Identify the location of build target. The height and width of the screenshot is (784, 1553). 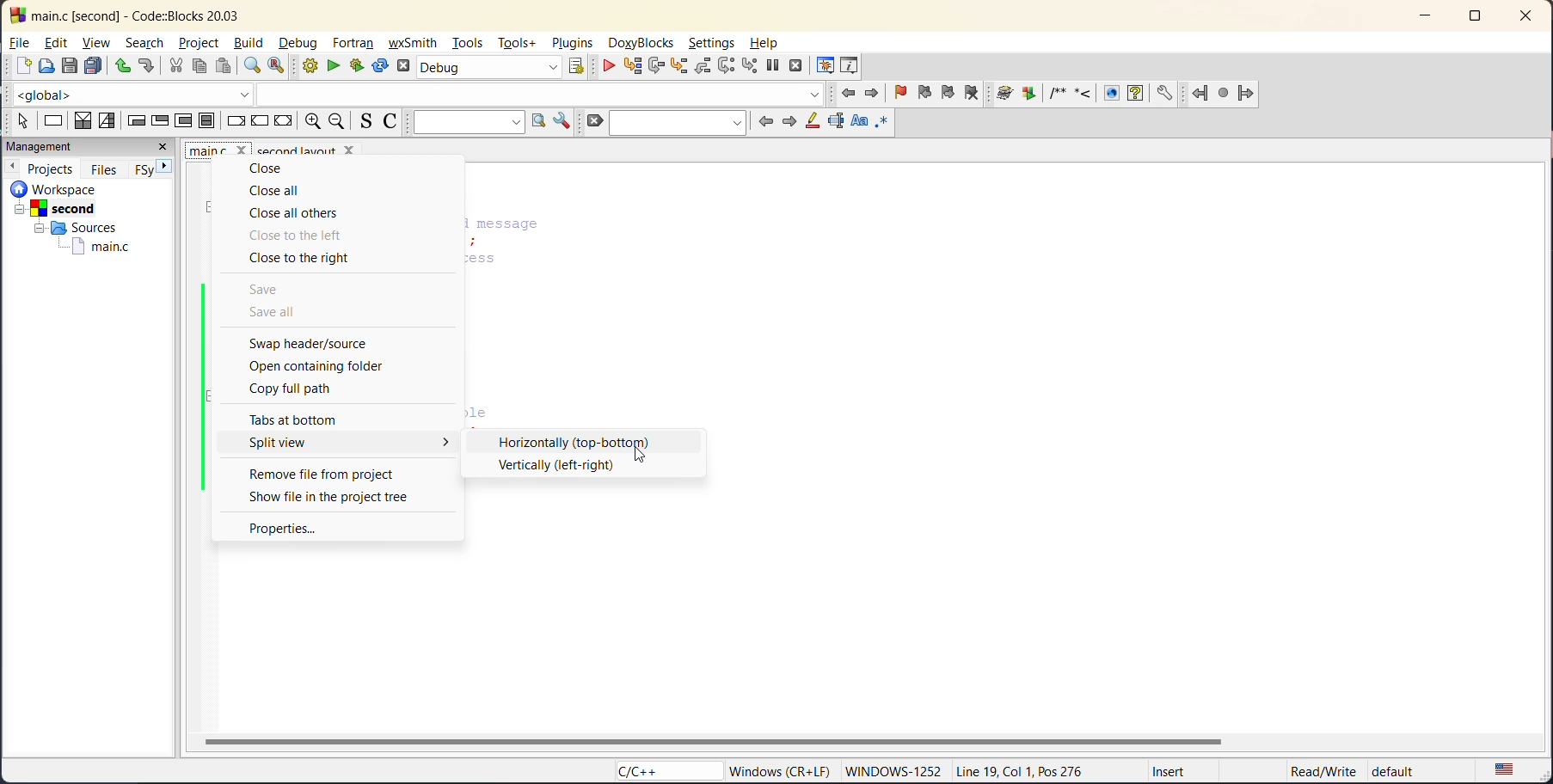
(488, 66).